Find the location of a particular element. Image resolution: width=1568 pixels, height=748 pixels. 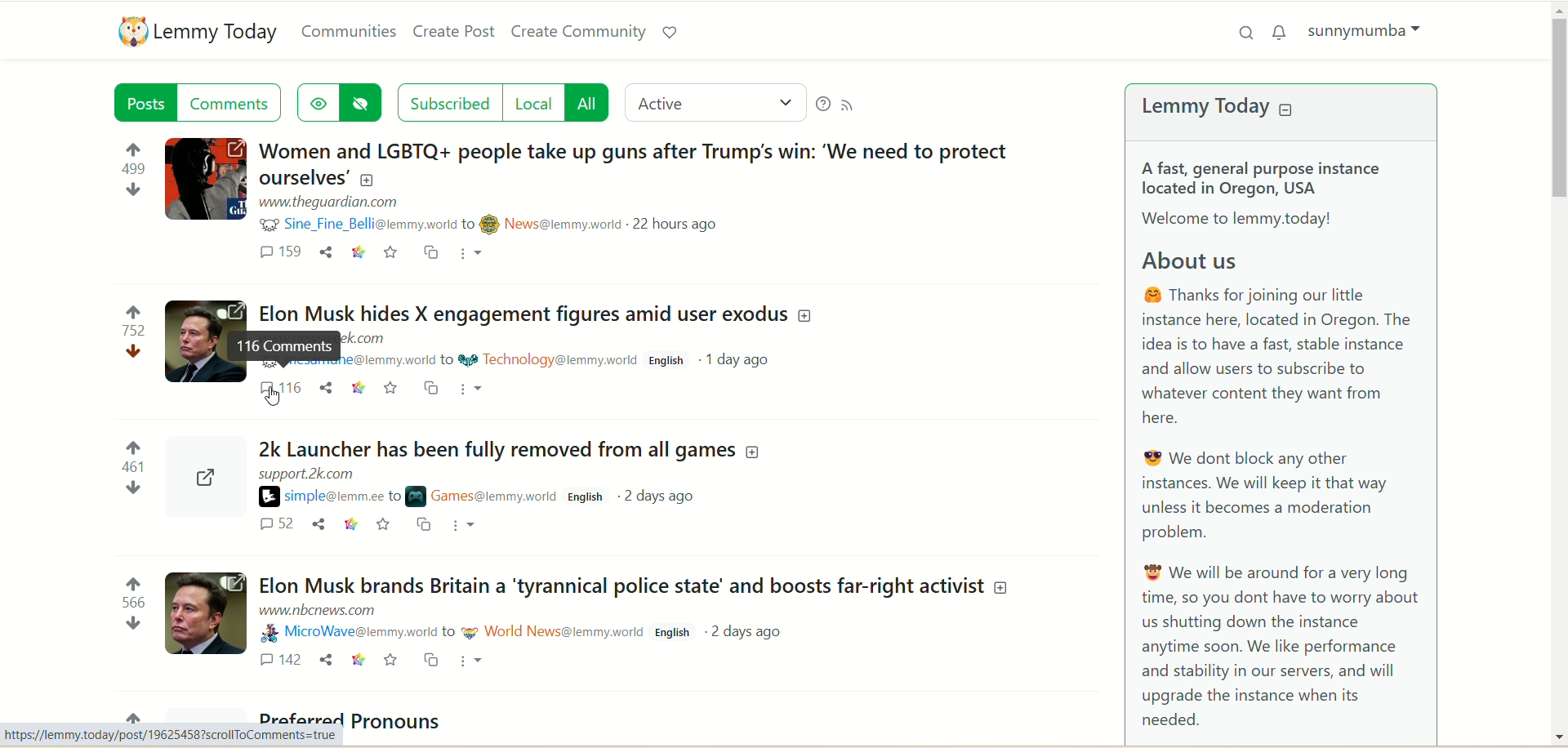

cross-post is located at coordinates (430, 252).